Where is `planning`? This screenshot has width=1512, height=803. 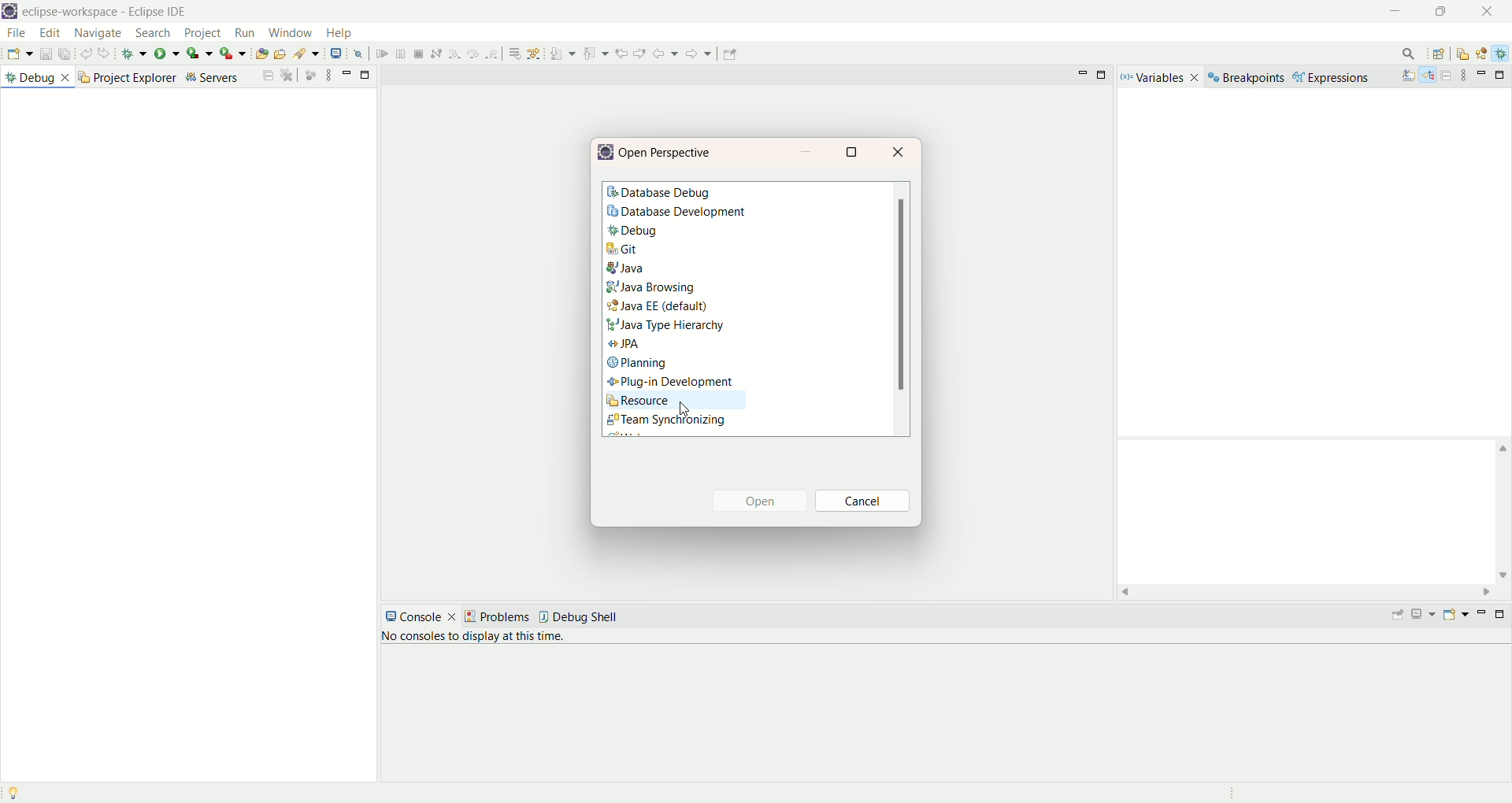 planning is located at coordinates (639, 364).